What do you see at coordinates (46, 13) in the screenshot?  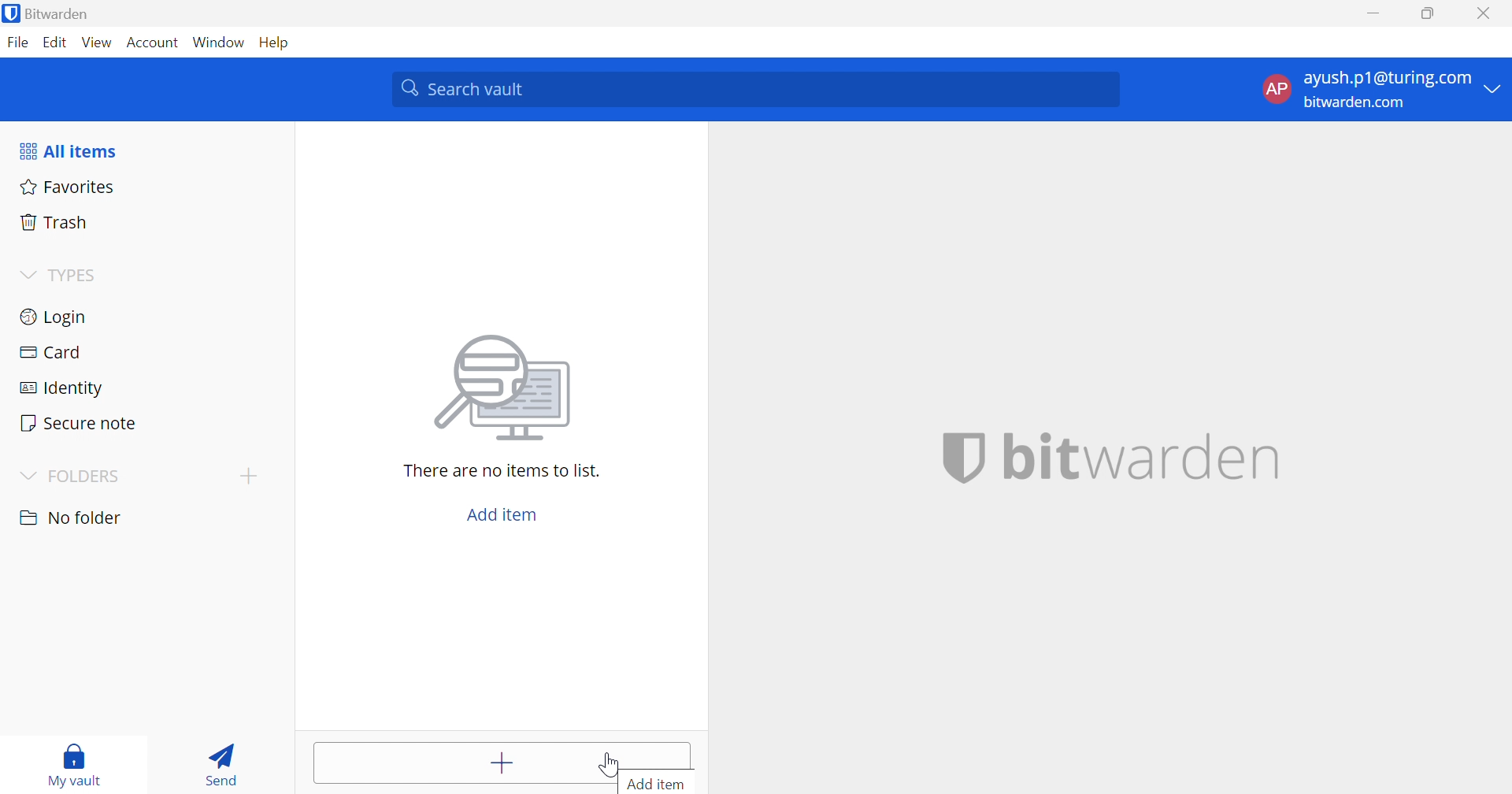 I see `Bitwarden` at bounding box center [46, 13].